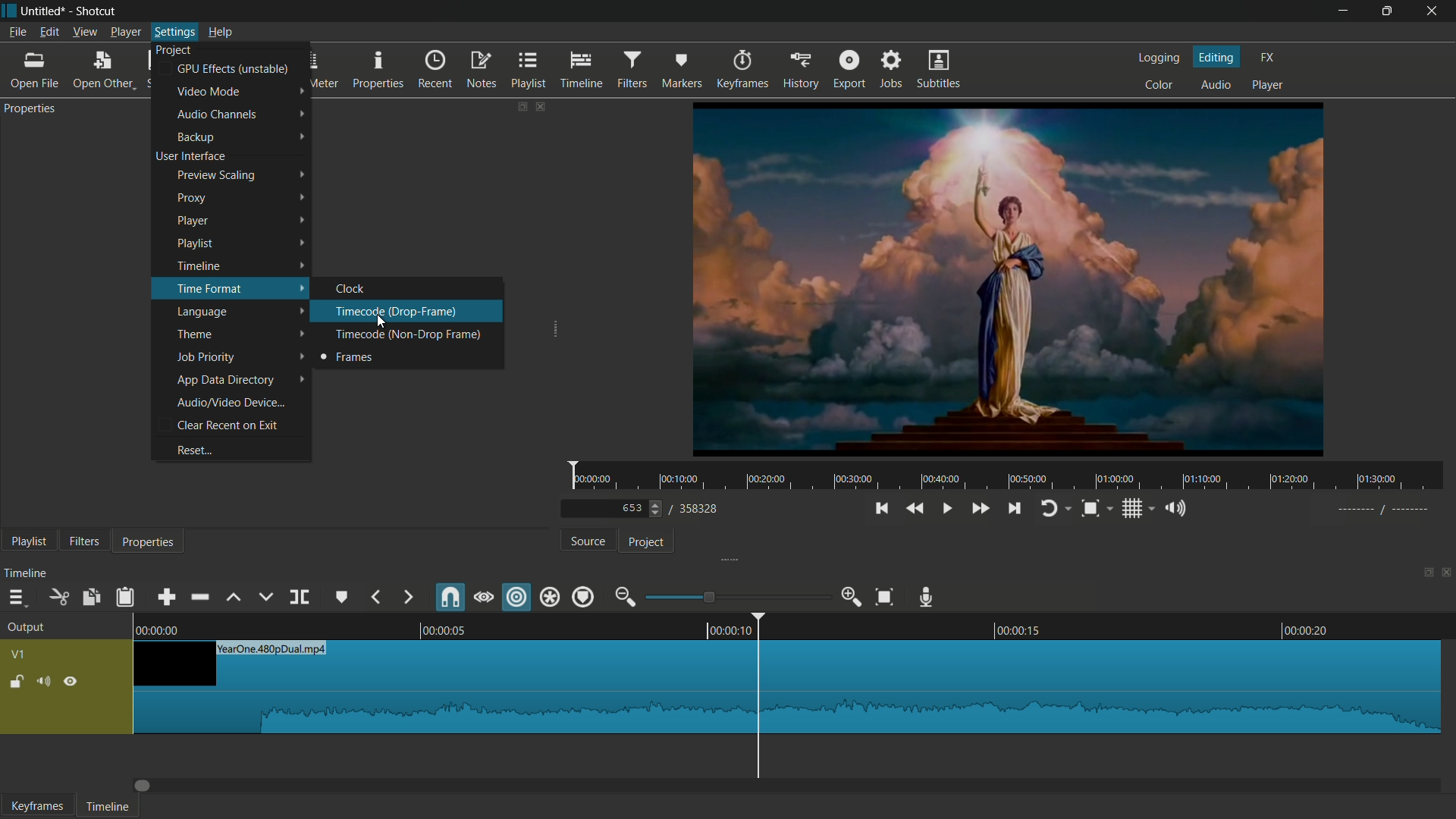 This screenshot has height=819, width=1456. What do you see at coordinates (801, 70) in the screenshot?
I see `history` at bounding box center [801, 70].